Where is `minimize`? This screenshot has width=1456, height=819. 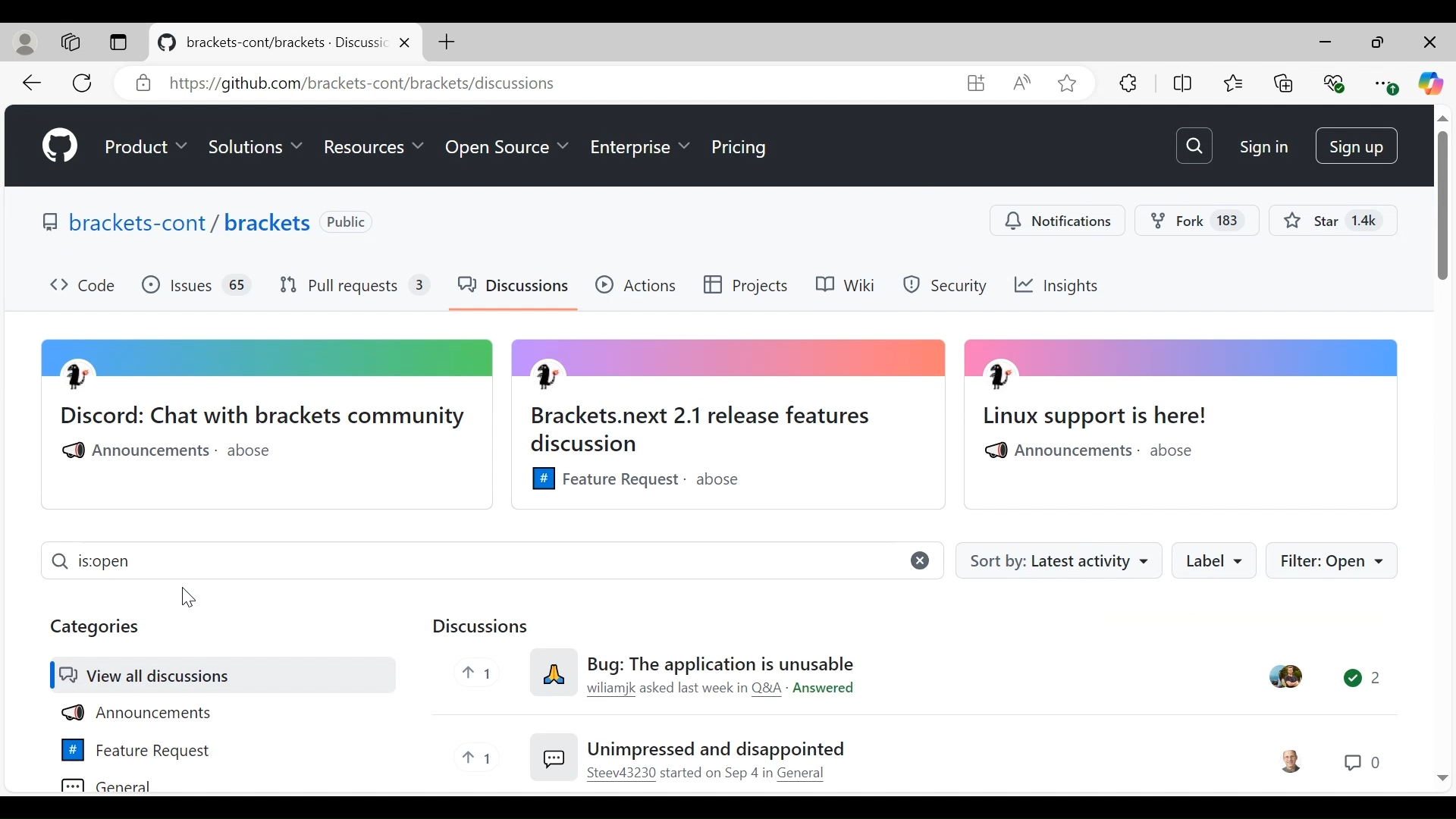
minimize is located at coordinates (1380, 44).